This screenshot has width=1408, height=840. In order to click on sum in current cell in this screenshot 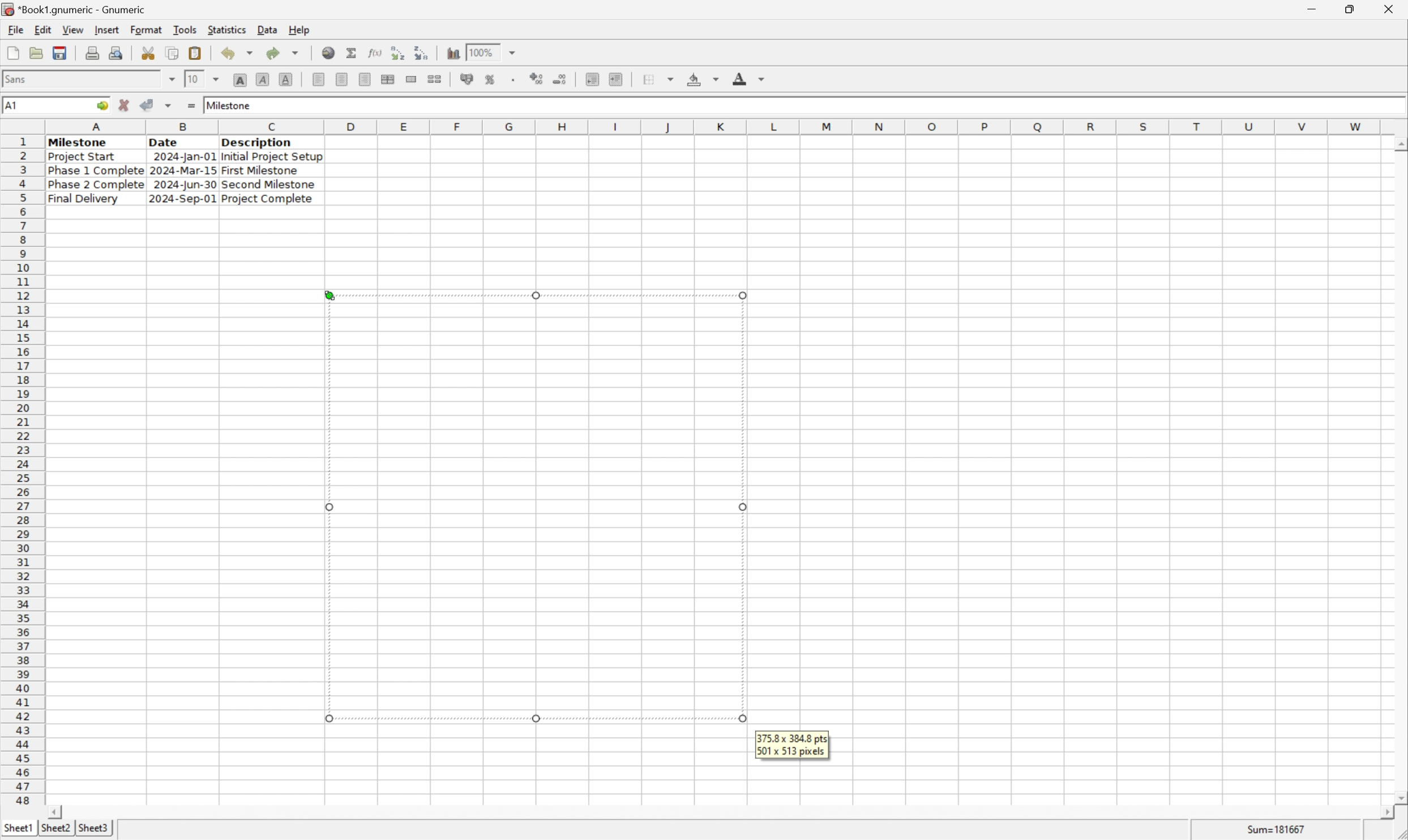, I will do `click(353, 53)`.